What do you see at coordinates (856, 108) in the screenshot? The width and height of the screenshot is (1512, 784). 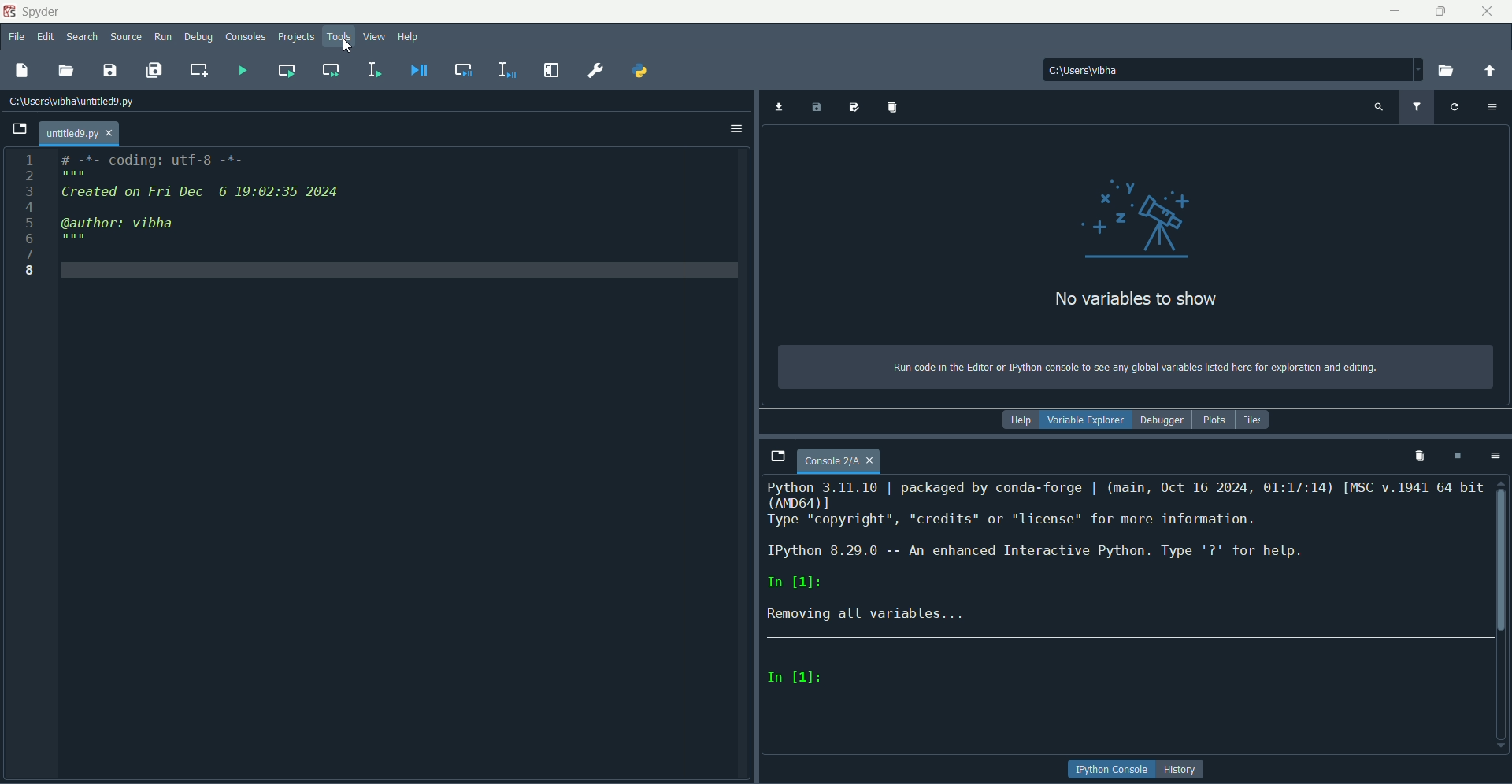 I see `save data as` at bounding box center [856, 108].